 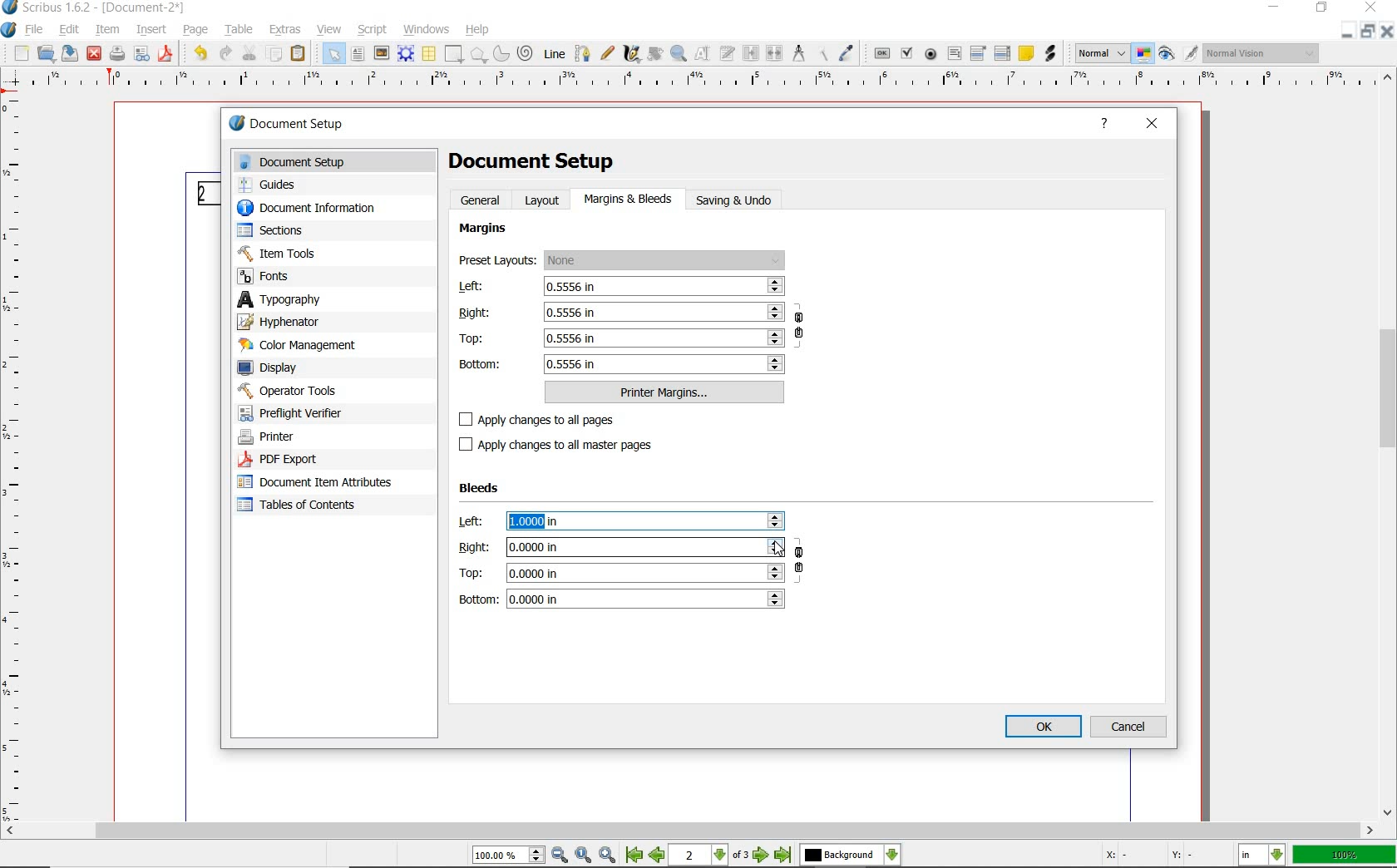 I want to click on freehand line, so click(x=608, y=54).